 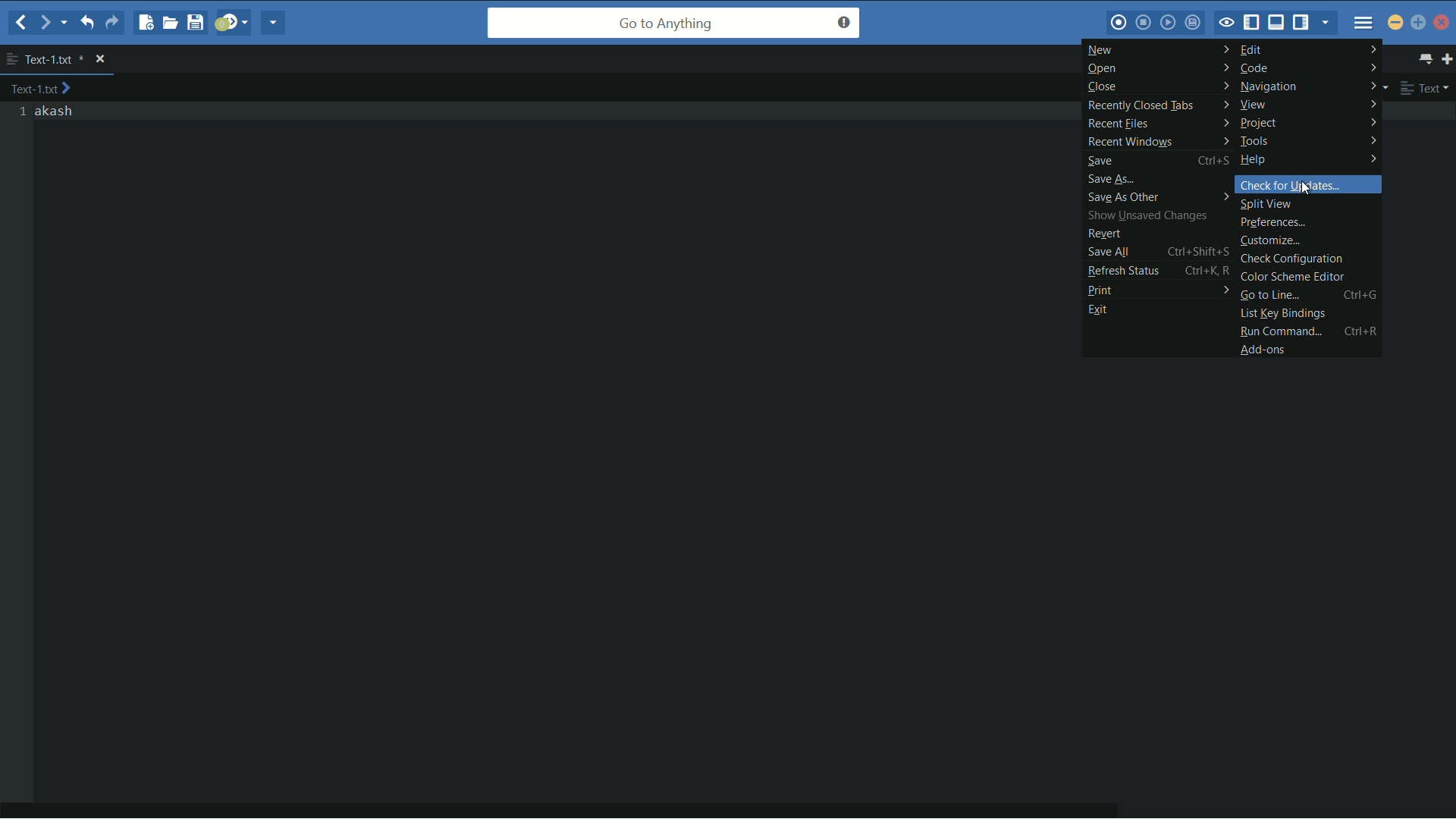 What do you see at coordinates (1423, 58) in the screenshot?
I see `show all tabs` at bounding box center [1423, 58].